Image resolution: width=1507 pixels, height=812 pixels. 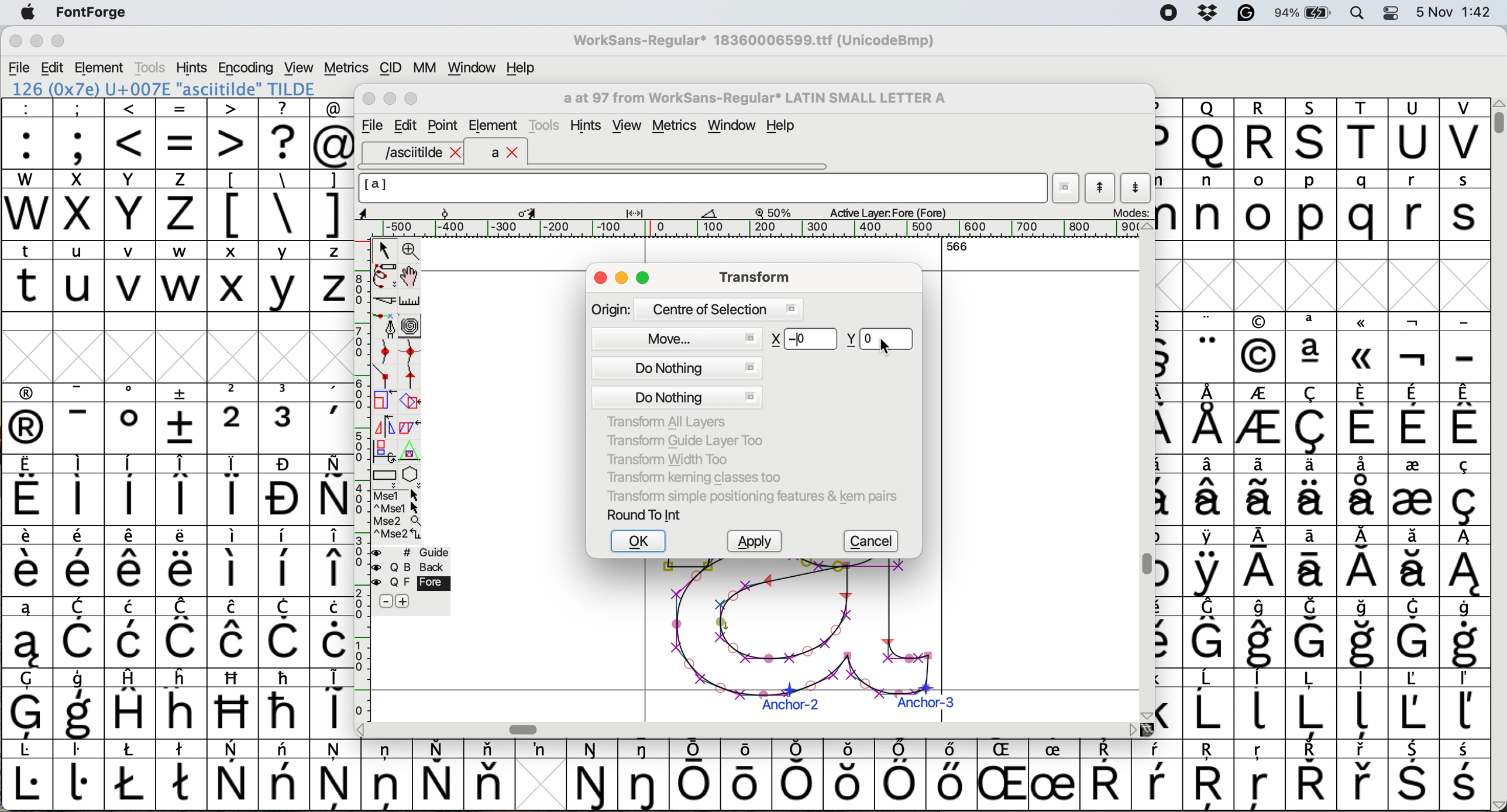 What do you see at coordinates (133, 703) in the screenshot?
I see `symbol` at bounding box center [133, 703].